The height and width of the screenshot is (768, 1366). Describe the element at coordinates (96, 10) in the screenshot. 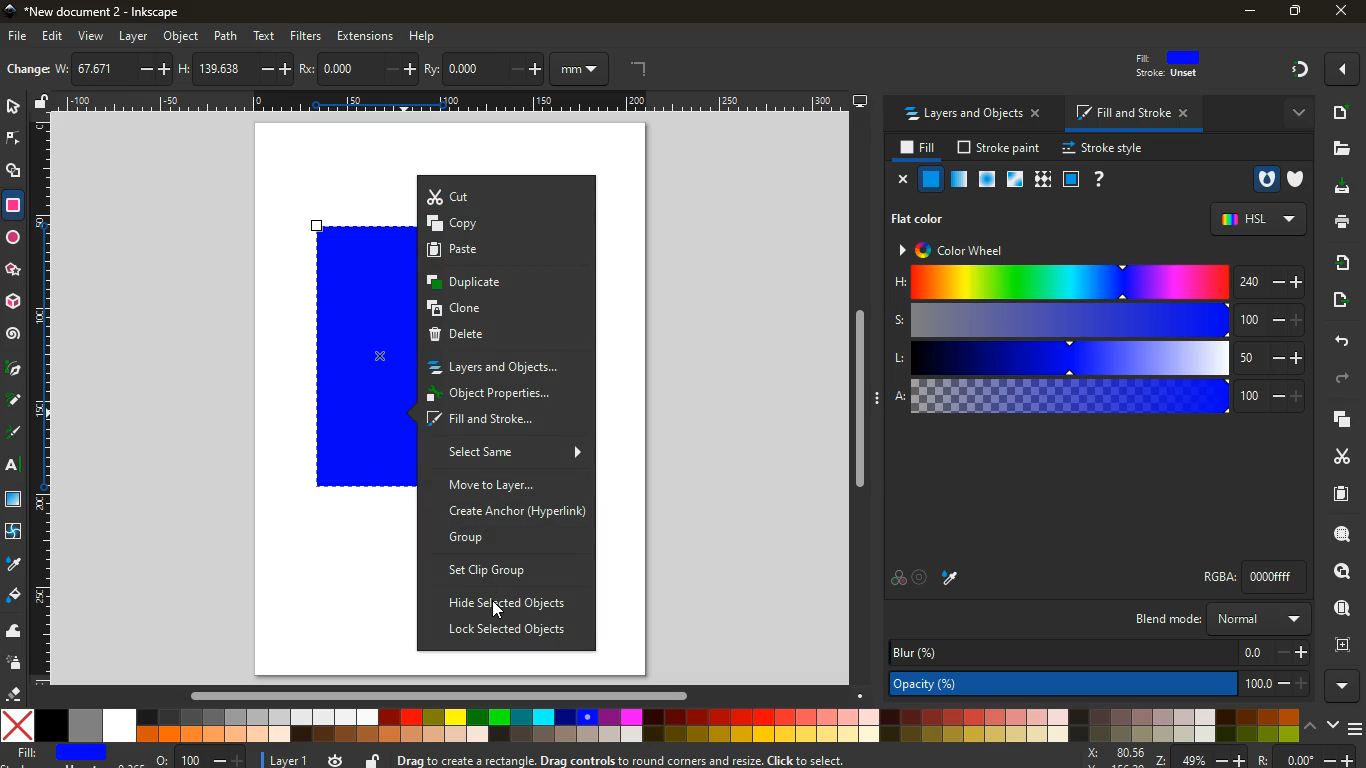

I see `inkscape` at that location.